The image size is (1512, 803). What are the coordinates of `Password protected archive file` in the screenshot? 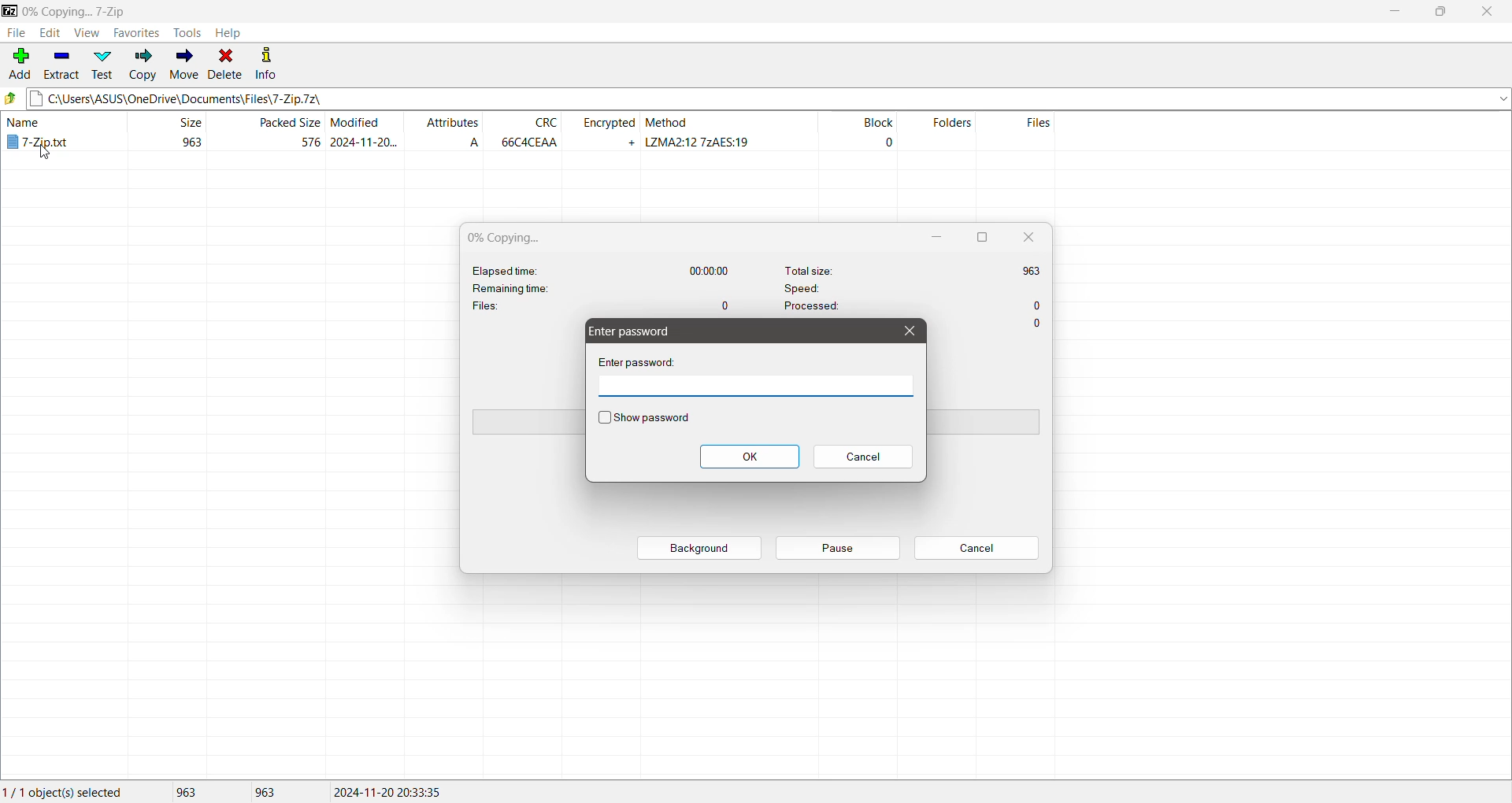 It's located at (55, 134).